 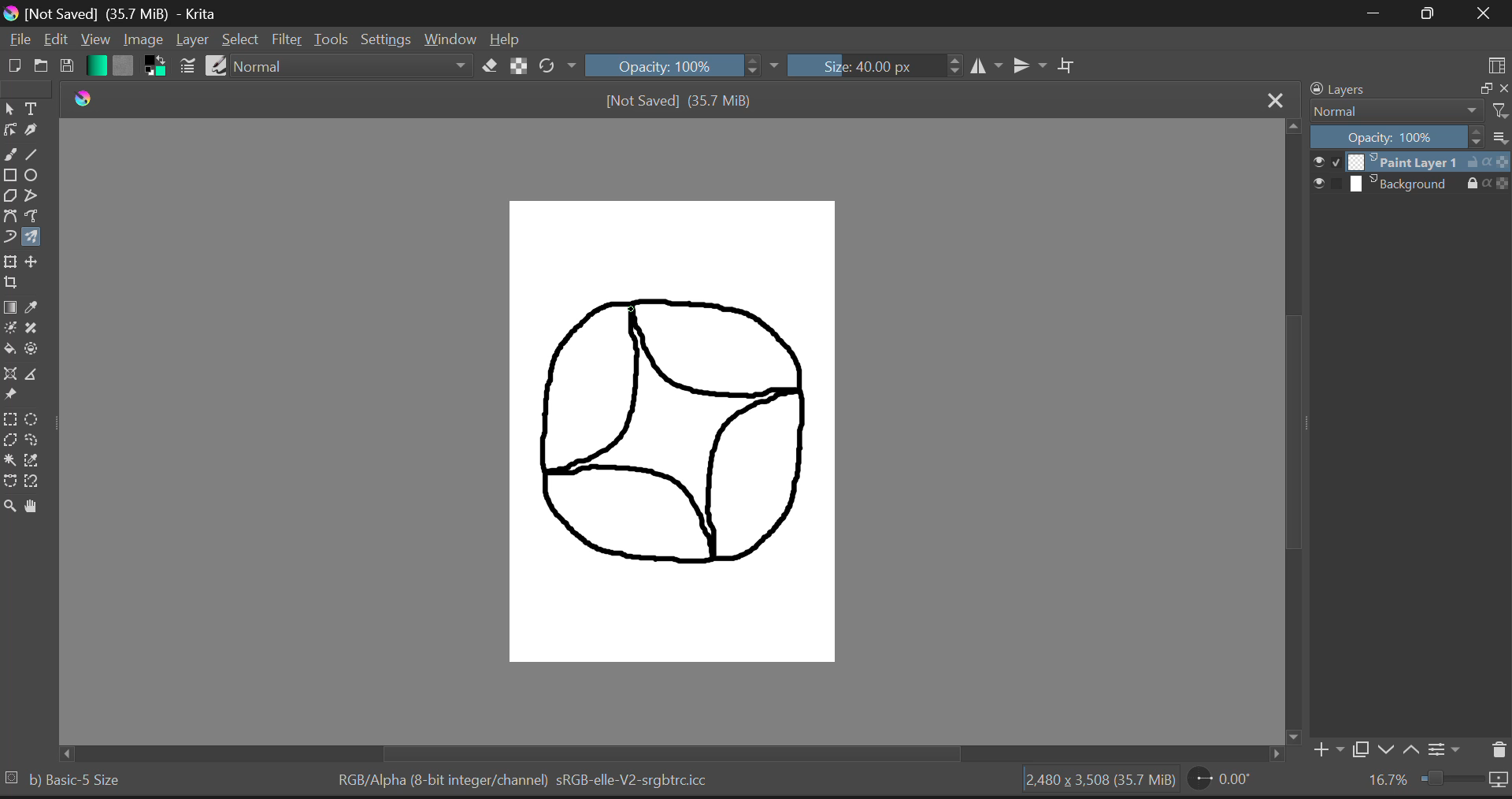 I want to click on Circular Selection, so click(x=38, y=418).